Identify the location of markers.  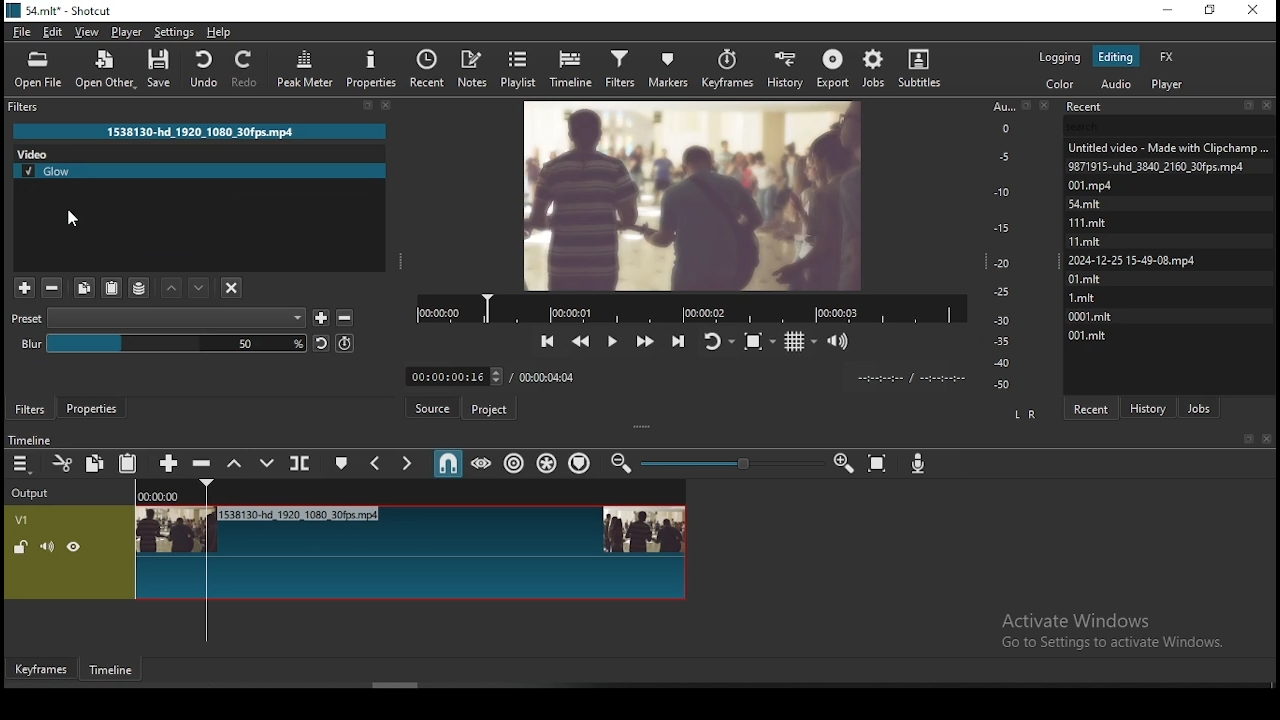
(666, 68).